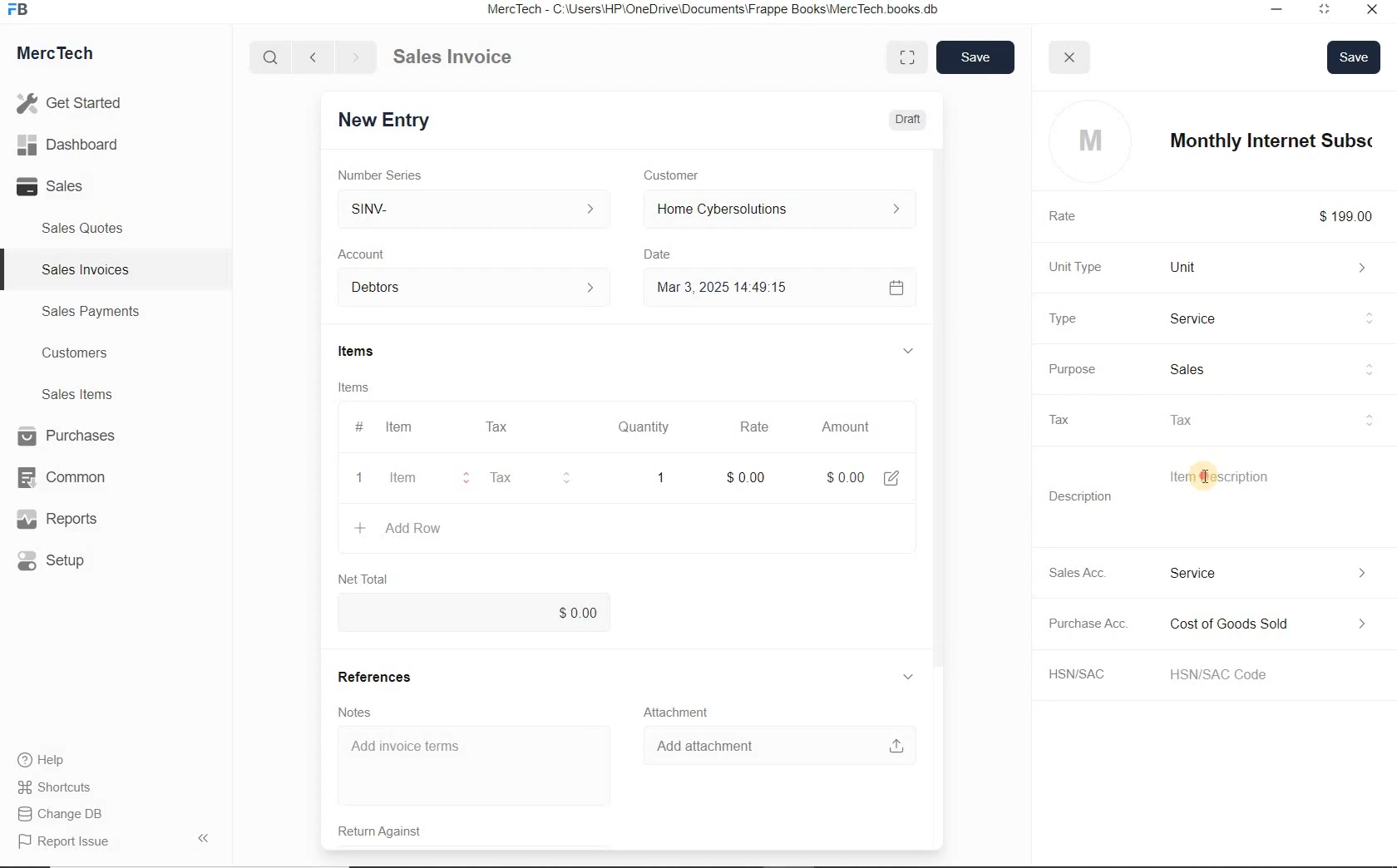 The height and width of the screenshot is (868, 1397). Describe the element at coordinates (62, 814) in the screenshot. I see `Change DB` at that location.